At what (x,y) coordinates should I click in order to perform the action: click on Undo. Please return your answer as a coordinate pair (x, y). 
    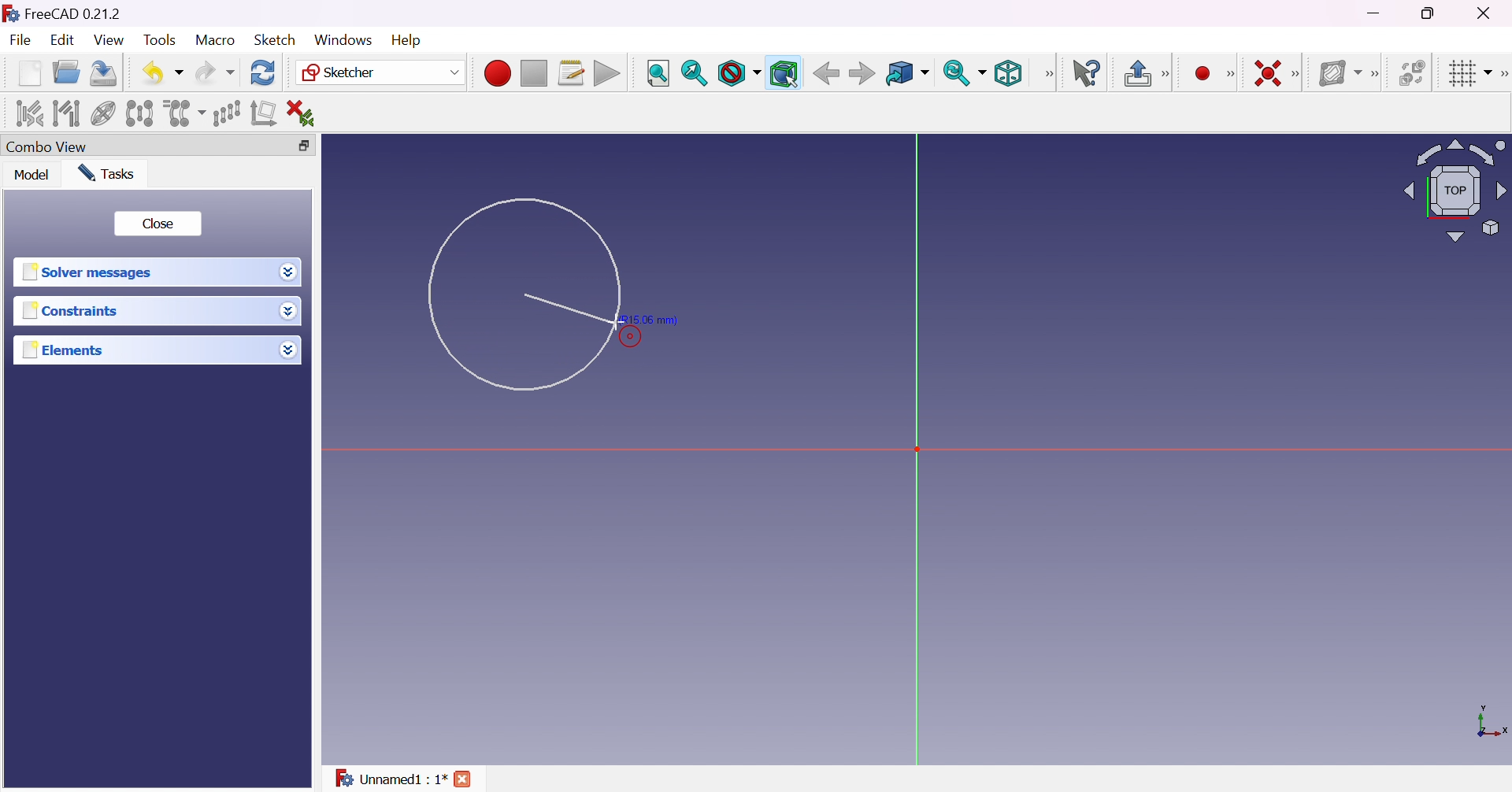
    Looking at the image, I should click on (163, 72).